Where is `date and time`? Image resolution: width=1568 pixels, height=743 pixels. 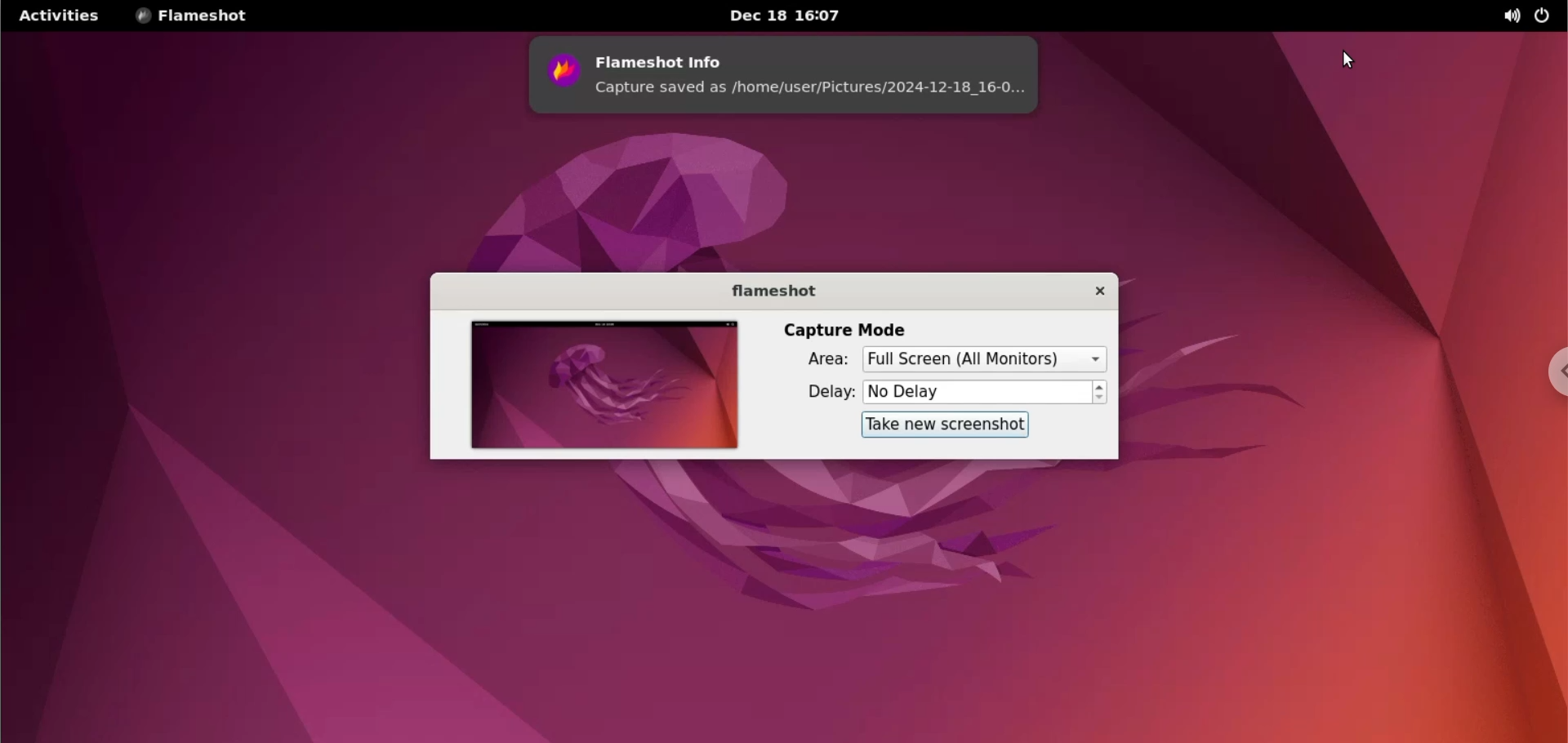 date and time is located at coordinates (793, 16).